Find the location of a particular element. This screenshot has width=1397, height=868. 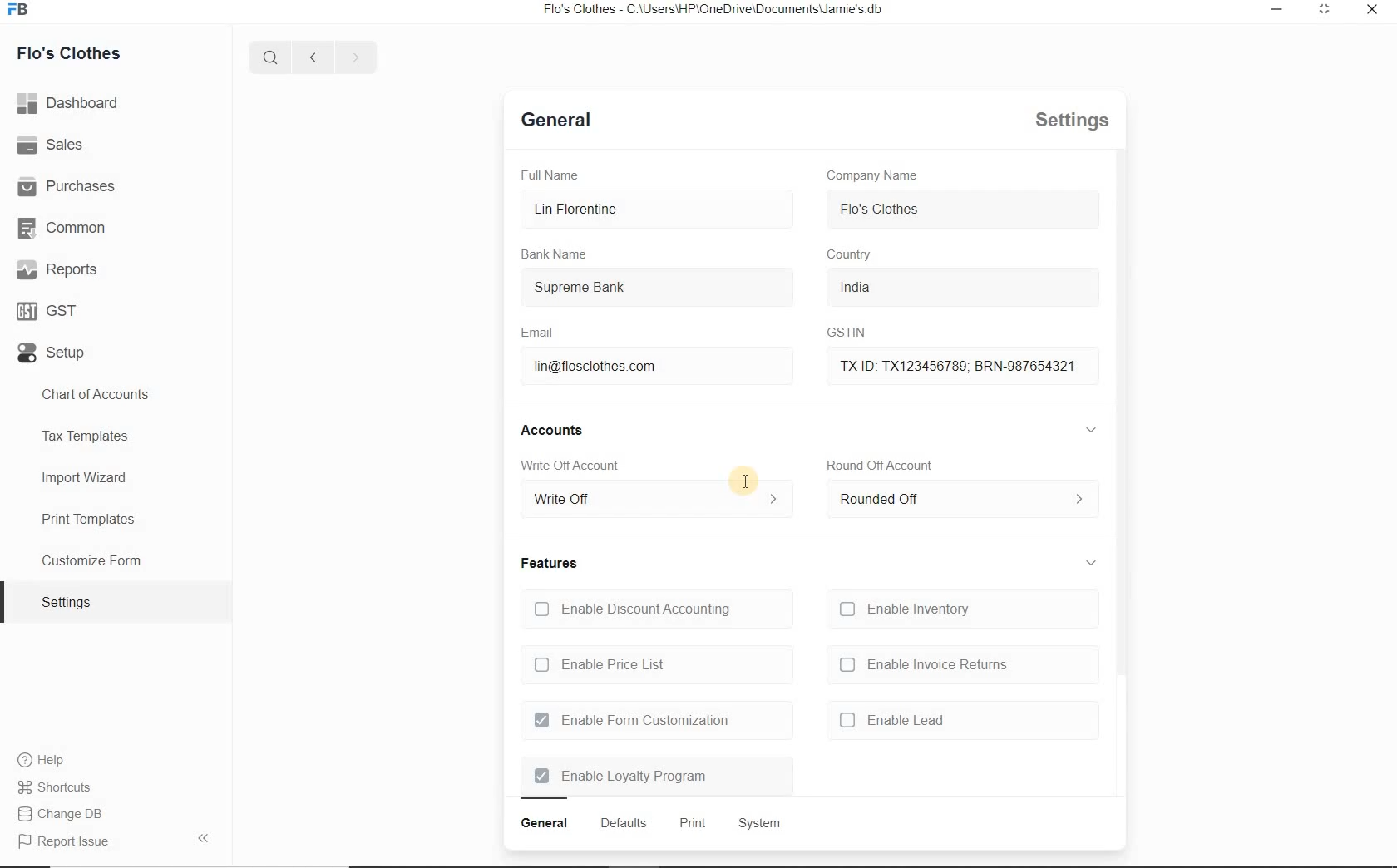

Sales is located at coordinates (54, 147).